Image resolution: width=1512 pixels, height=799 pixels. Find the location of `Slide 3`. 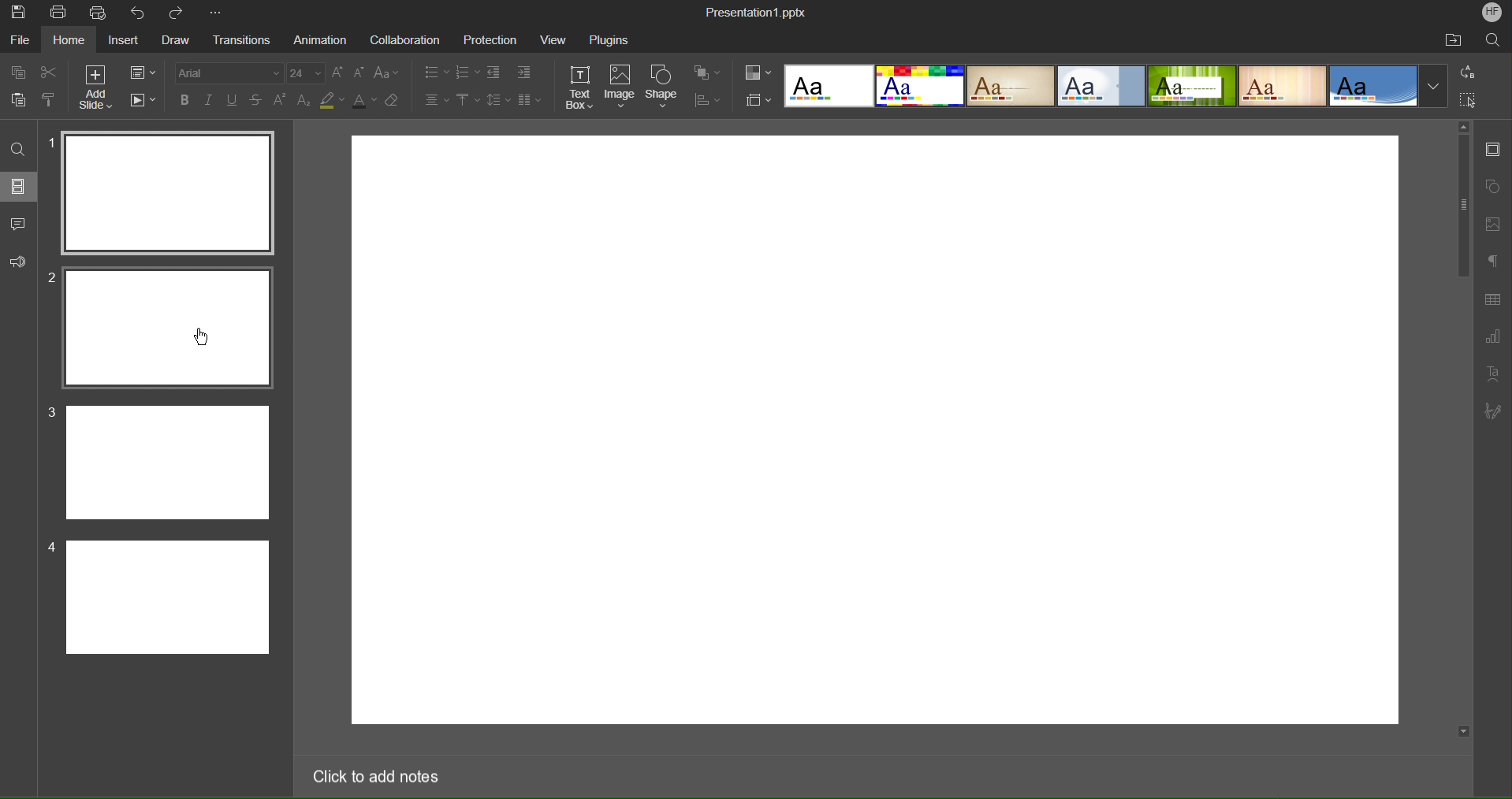

Slide 3 is located at coordinates (169, 463).